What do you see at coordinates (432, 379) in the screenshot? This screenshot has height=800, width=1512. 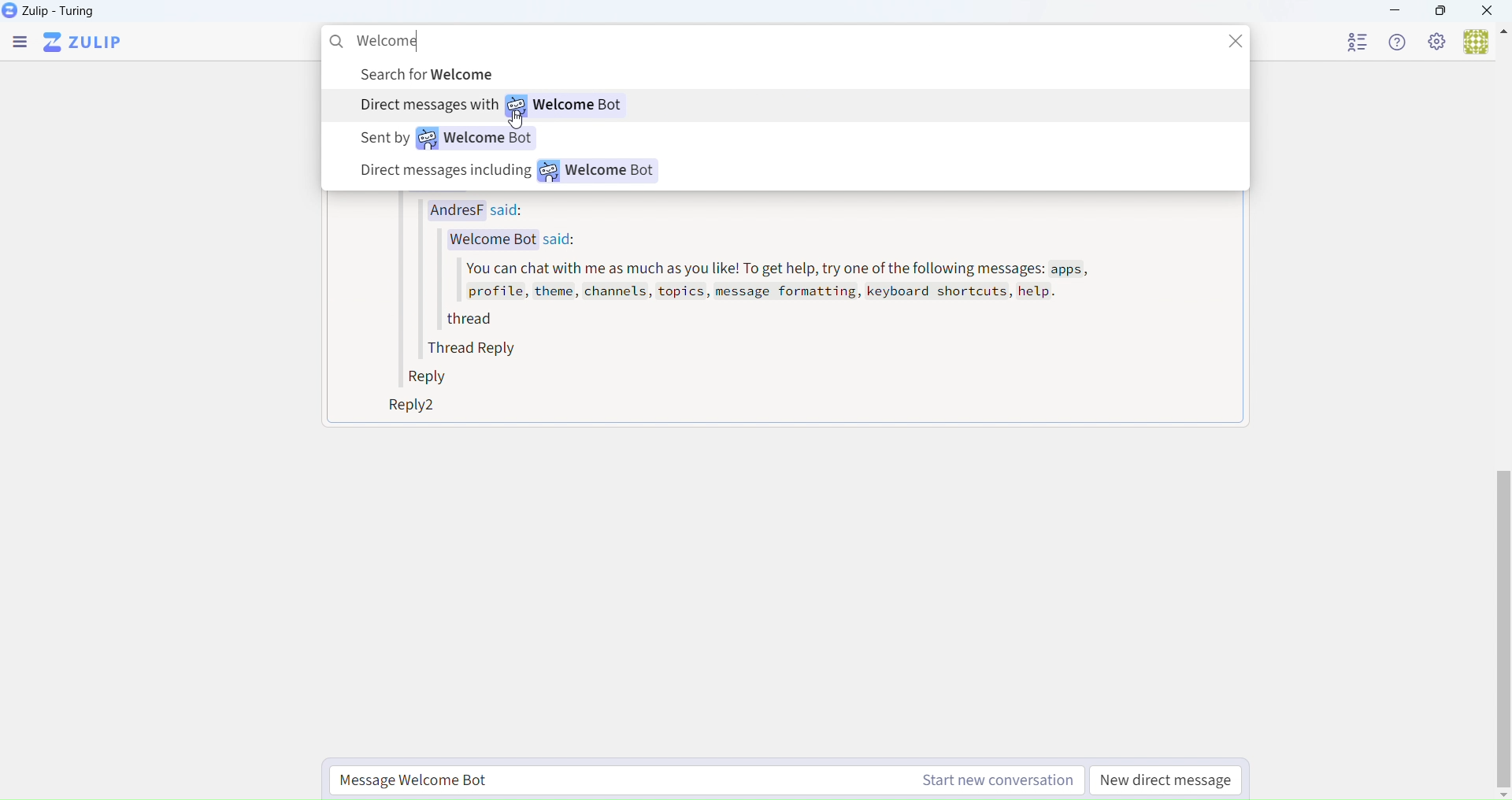 I see `Reply` at bounding box center [432, 379].